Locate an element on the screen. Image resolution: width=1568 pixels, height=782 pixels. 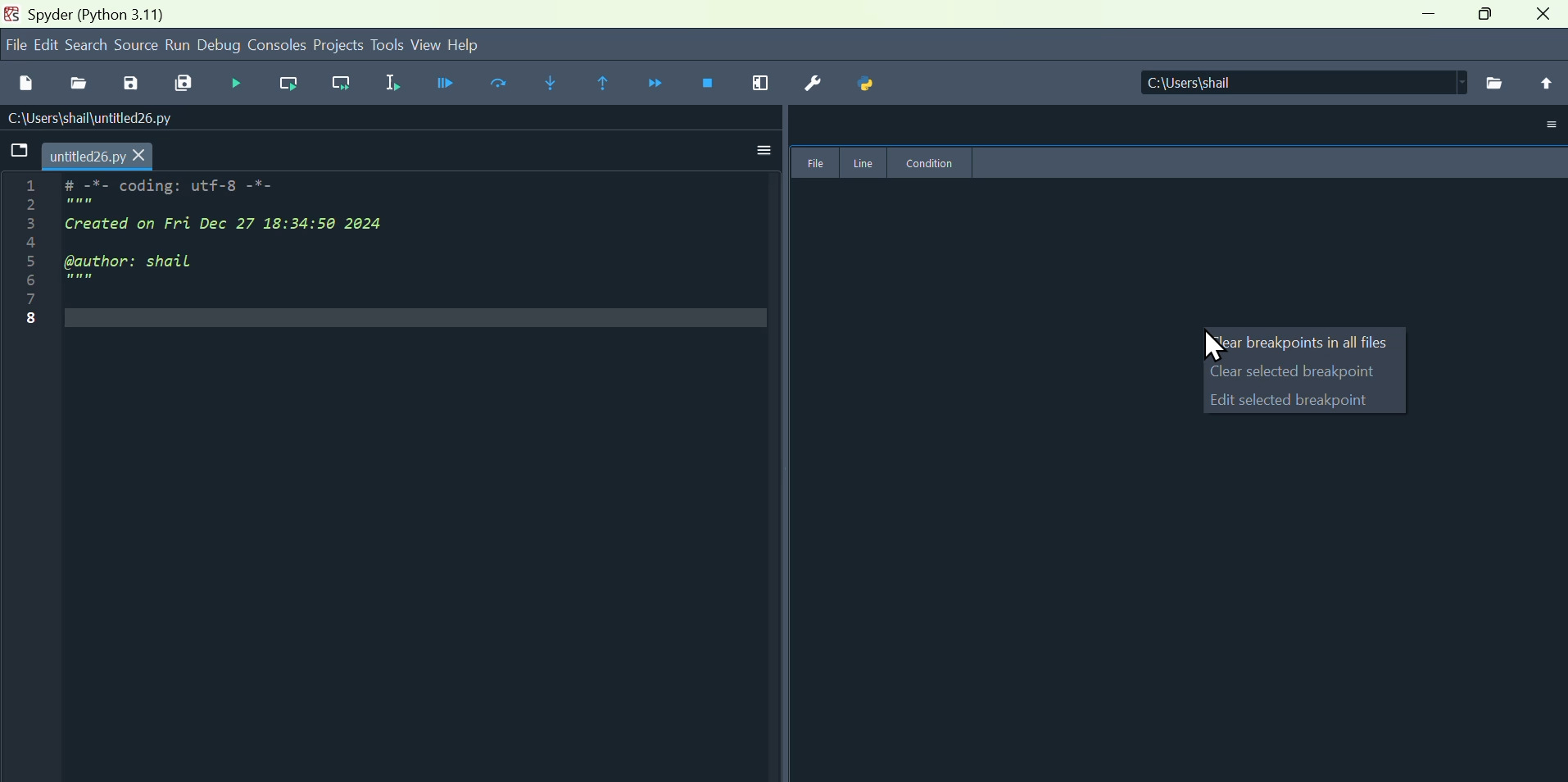
More Option is located at coordinates (759, 148).